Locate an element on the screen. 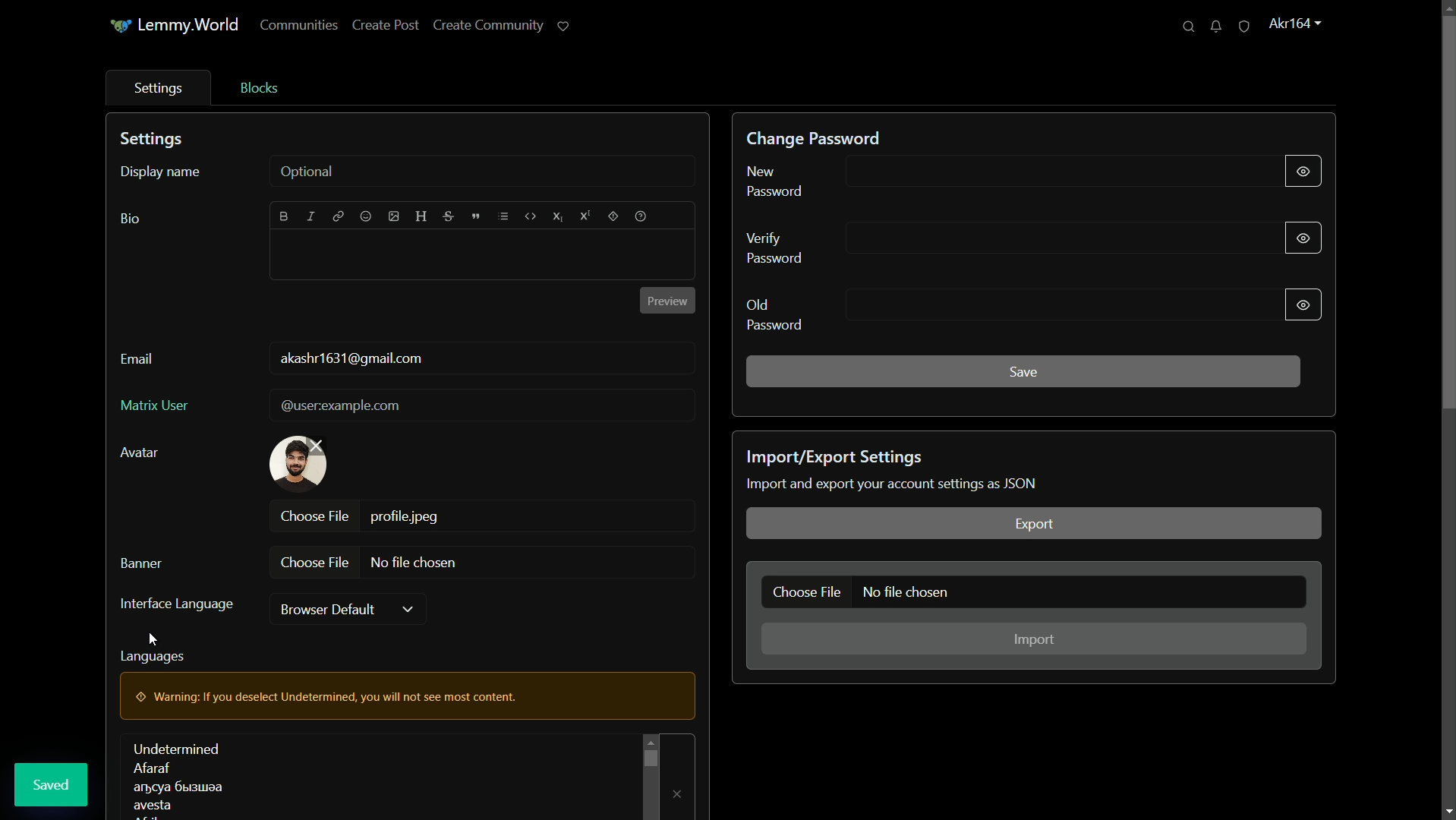  support lemmy is located at coordinates (564, 27).